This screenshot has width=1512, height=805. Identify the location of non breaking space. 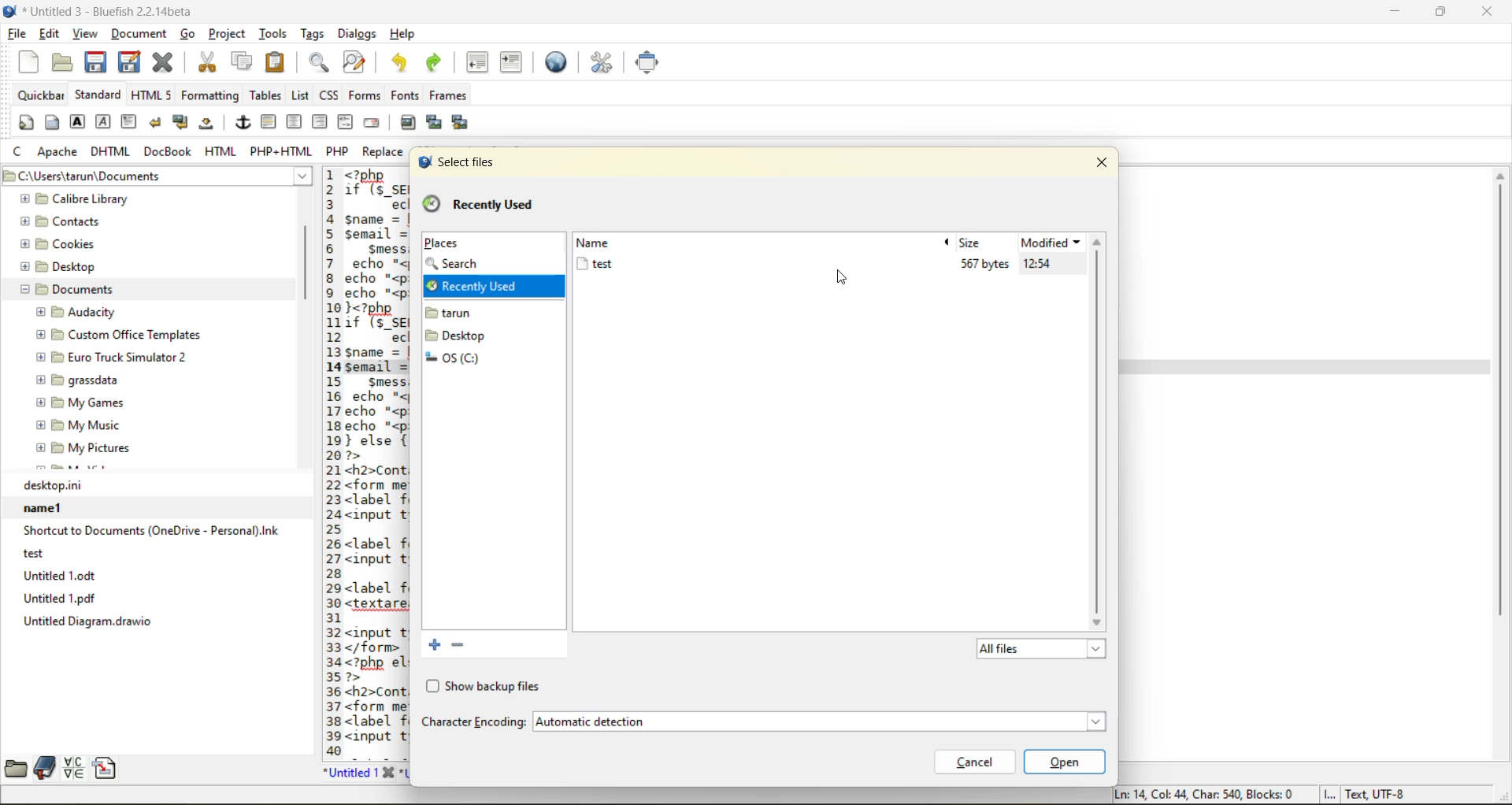
(209, 127).